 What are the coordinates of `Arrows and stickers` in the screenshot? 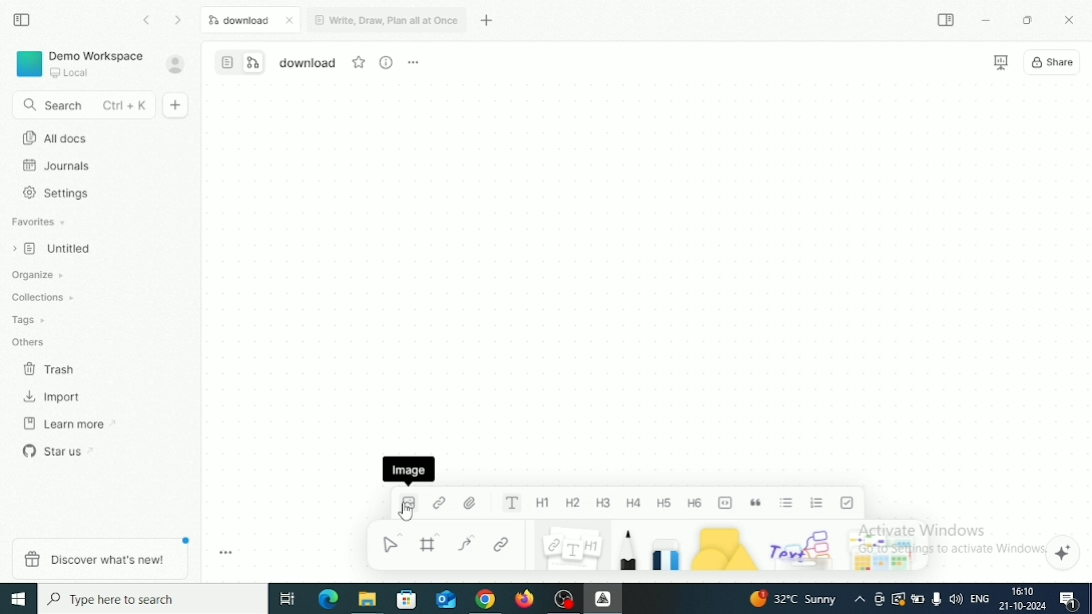 It's located at (885, 549).